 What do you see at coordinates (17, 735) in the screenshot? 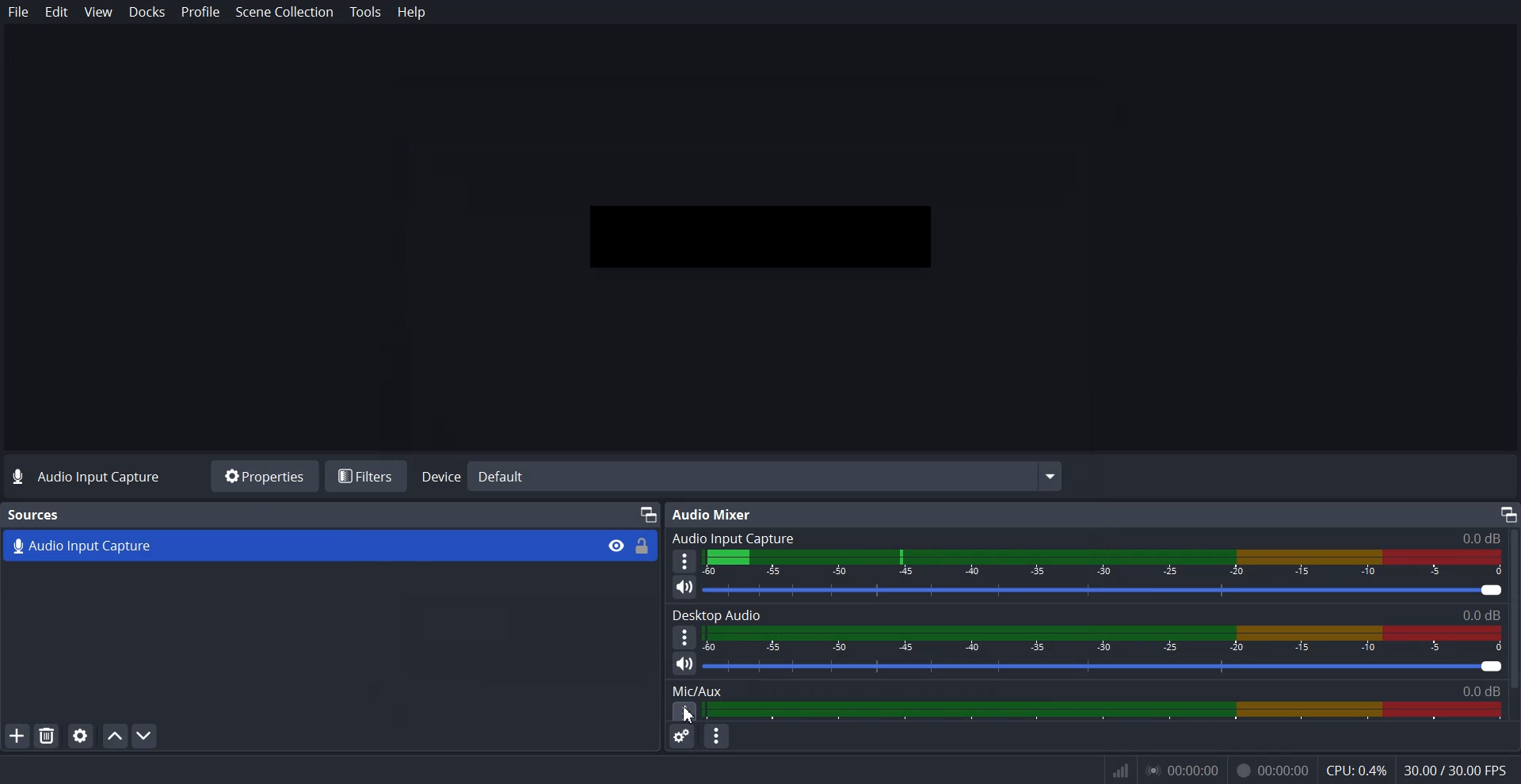
I see `Add Source` at bounding box center [17, 735].